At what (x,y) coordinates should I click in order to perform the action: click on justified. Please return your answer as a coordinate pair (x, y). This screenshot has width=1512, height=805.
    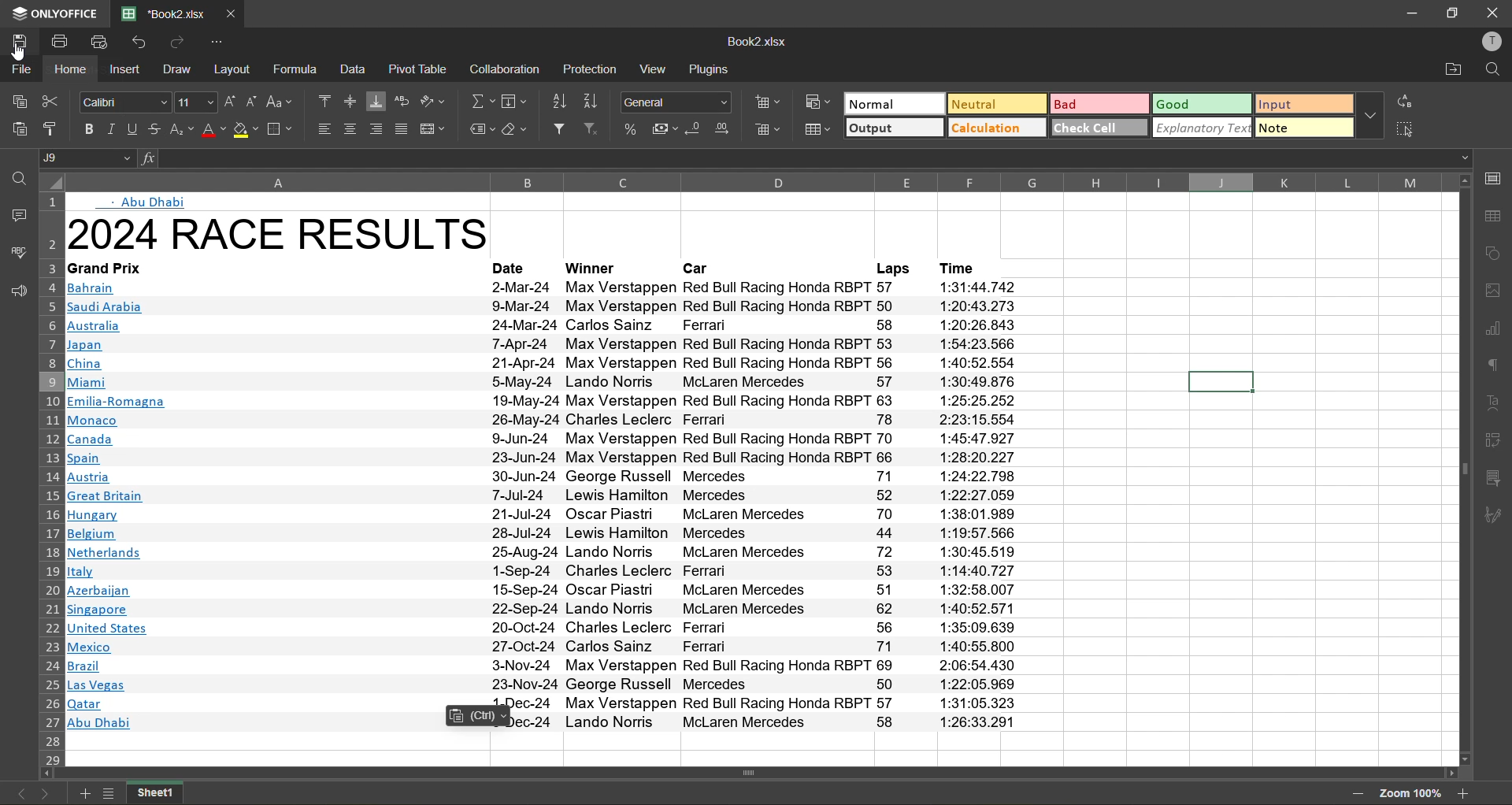
    Looking at the image, I should click on (402, 129).